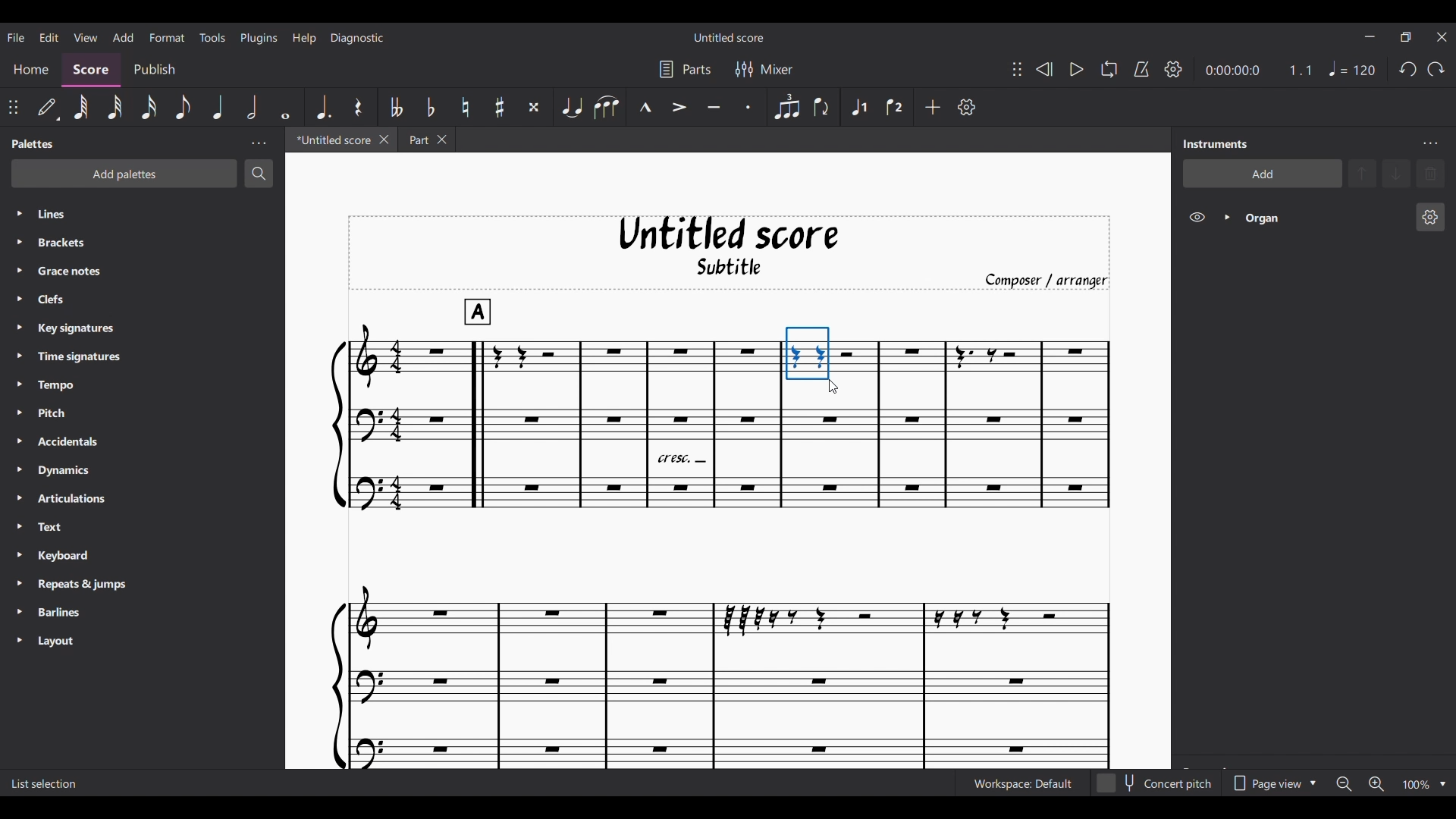  Describe the element at coordinates (1436, 69) in the screenshot. I see `Redo` at that location.